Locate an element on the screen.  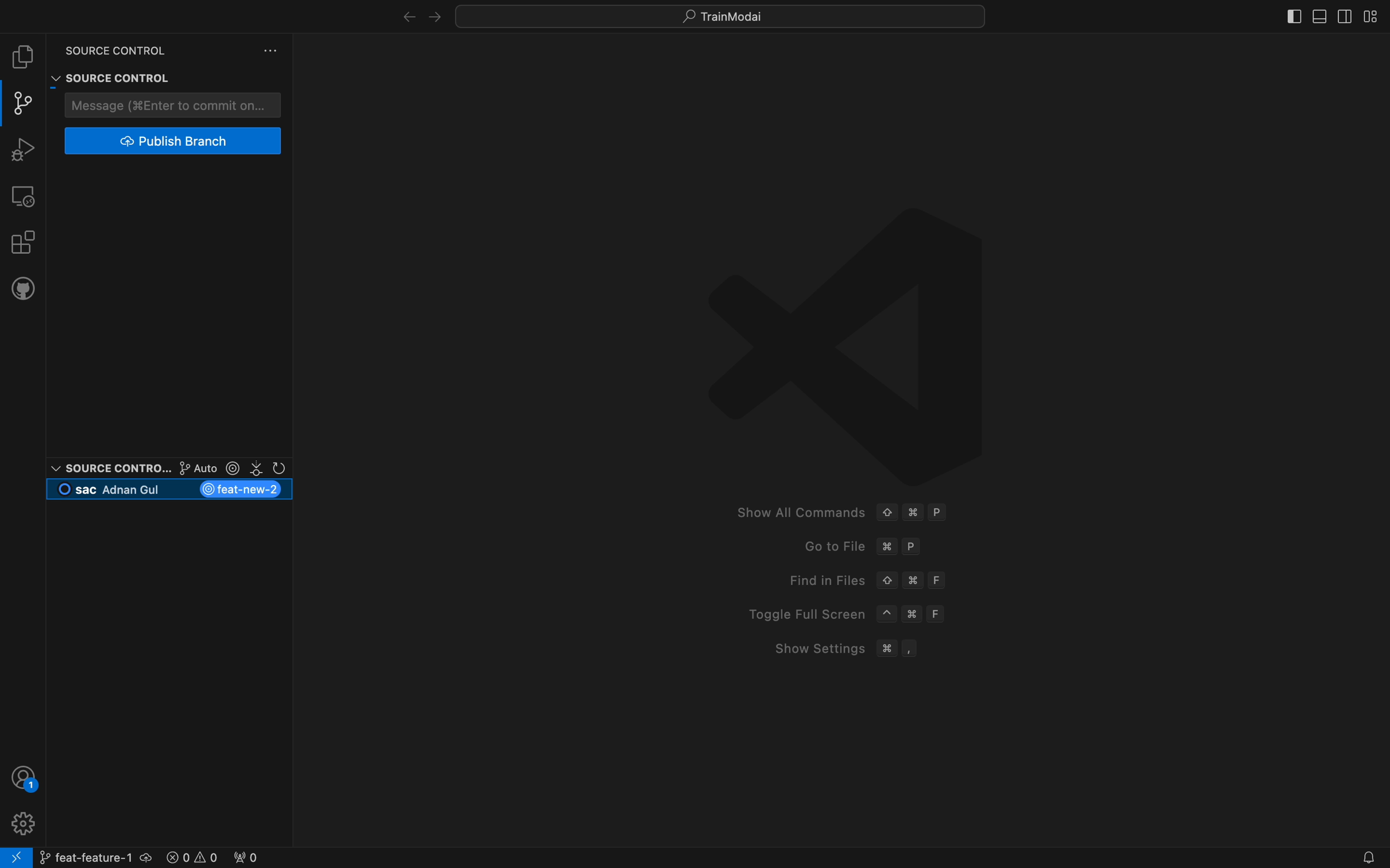
^ is located at coordinates (887, 614).